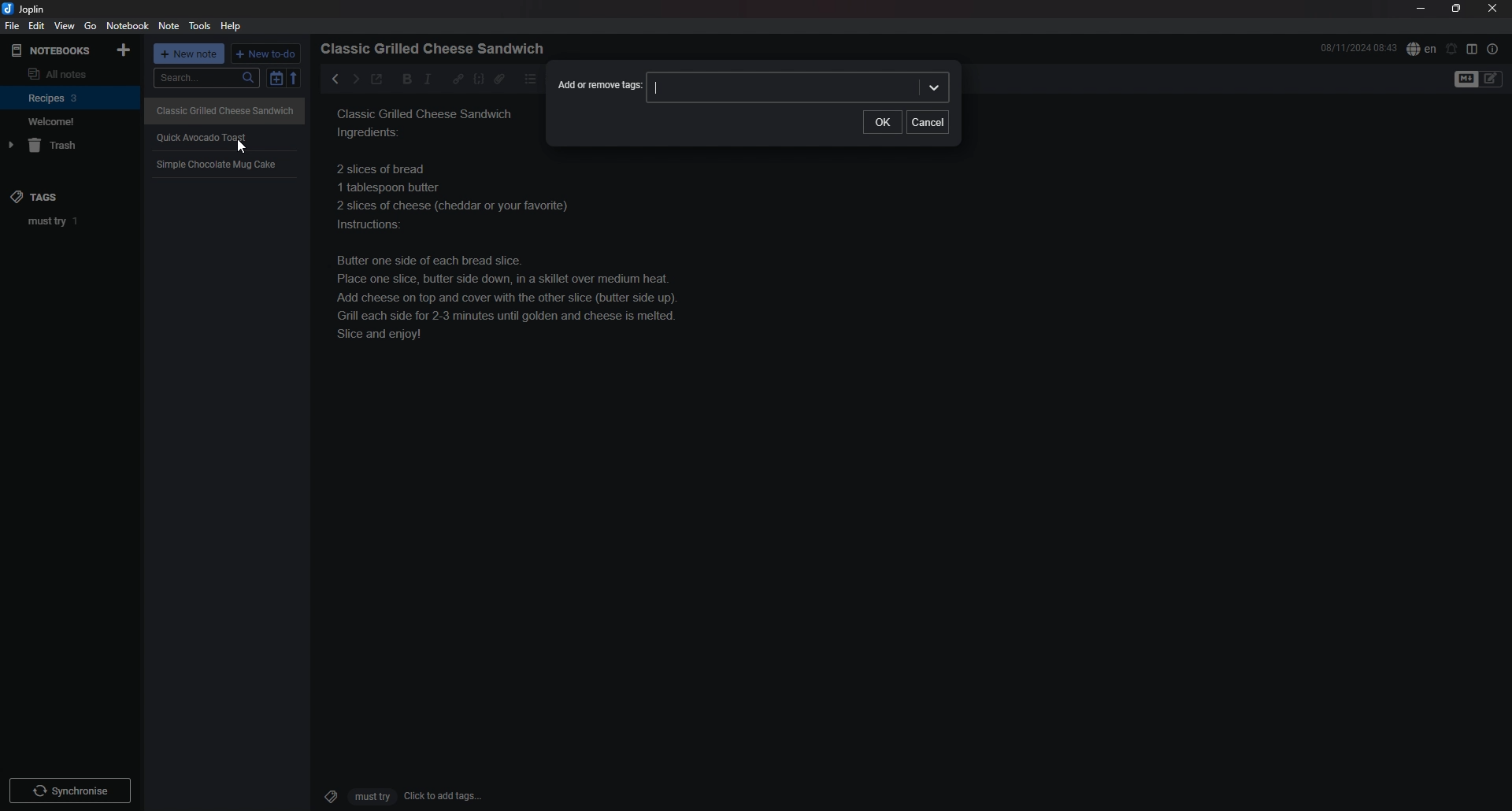 Image resolution: width=1512 pixels, height=811 pixels. I want to click on notebook, so click(71, 97).